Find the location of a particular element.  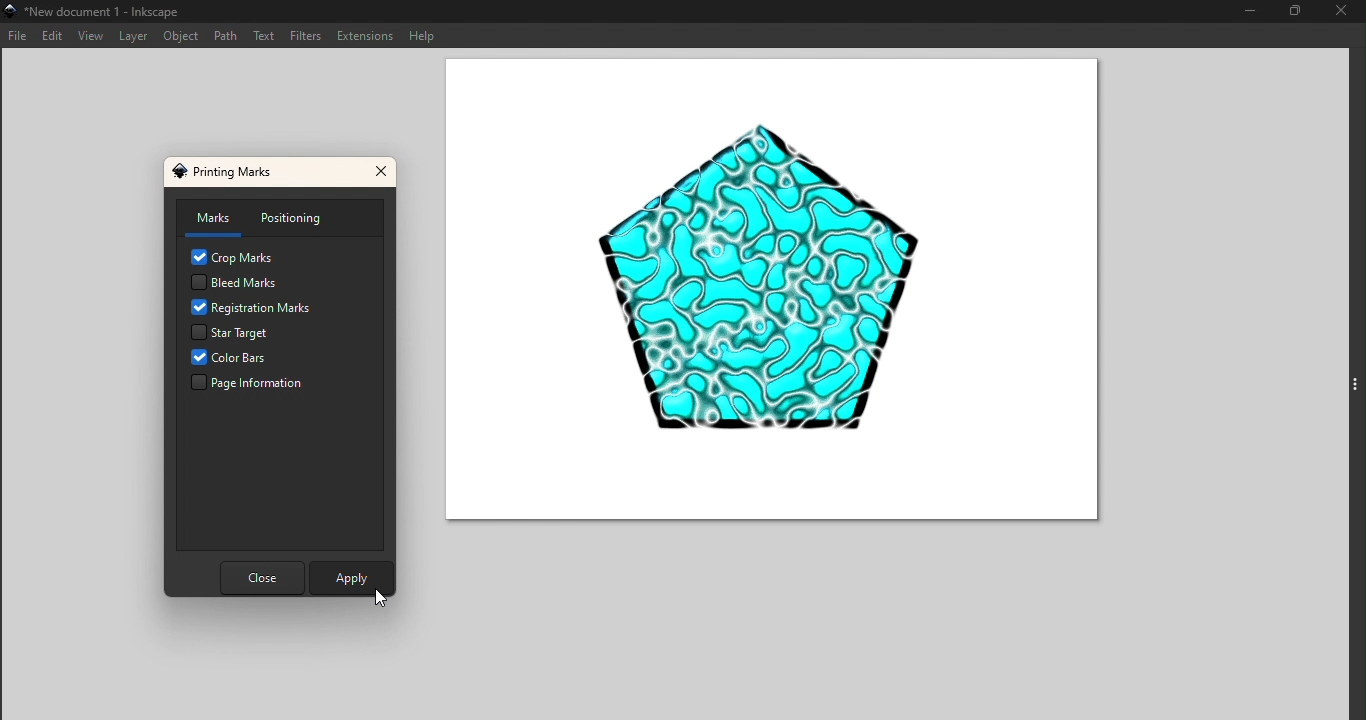

Canvas is located at coordinates (766, 294).